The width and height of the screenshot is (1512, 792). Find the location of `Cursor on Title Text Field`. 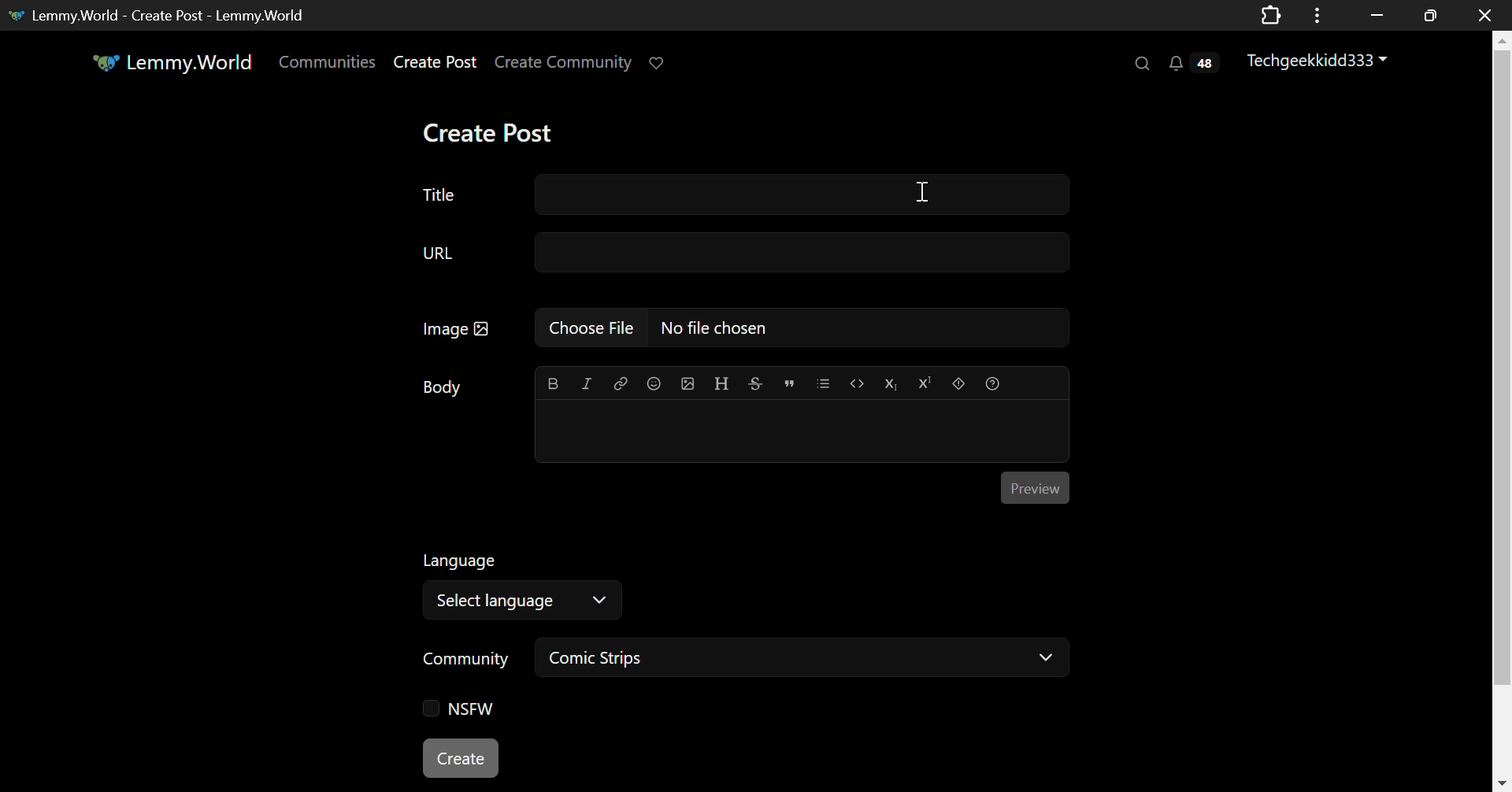

Cursor on Title Text Field is located at coordinates (925, 192).